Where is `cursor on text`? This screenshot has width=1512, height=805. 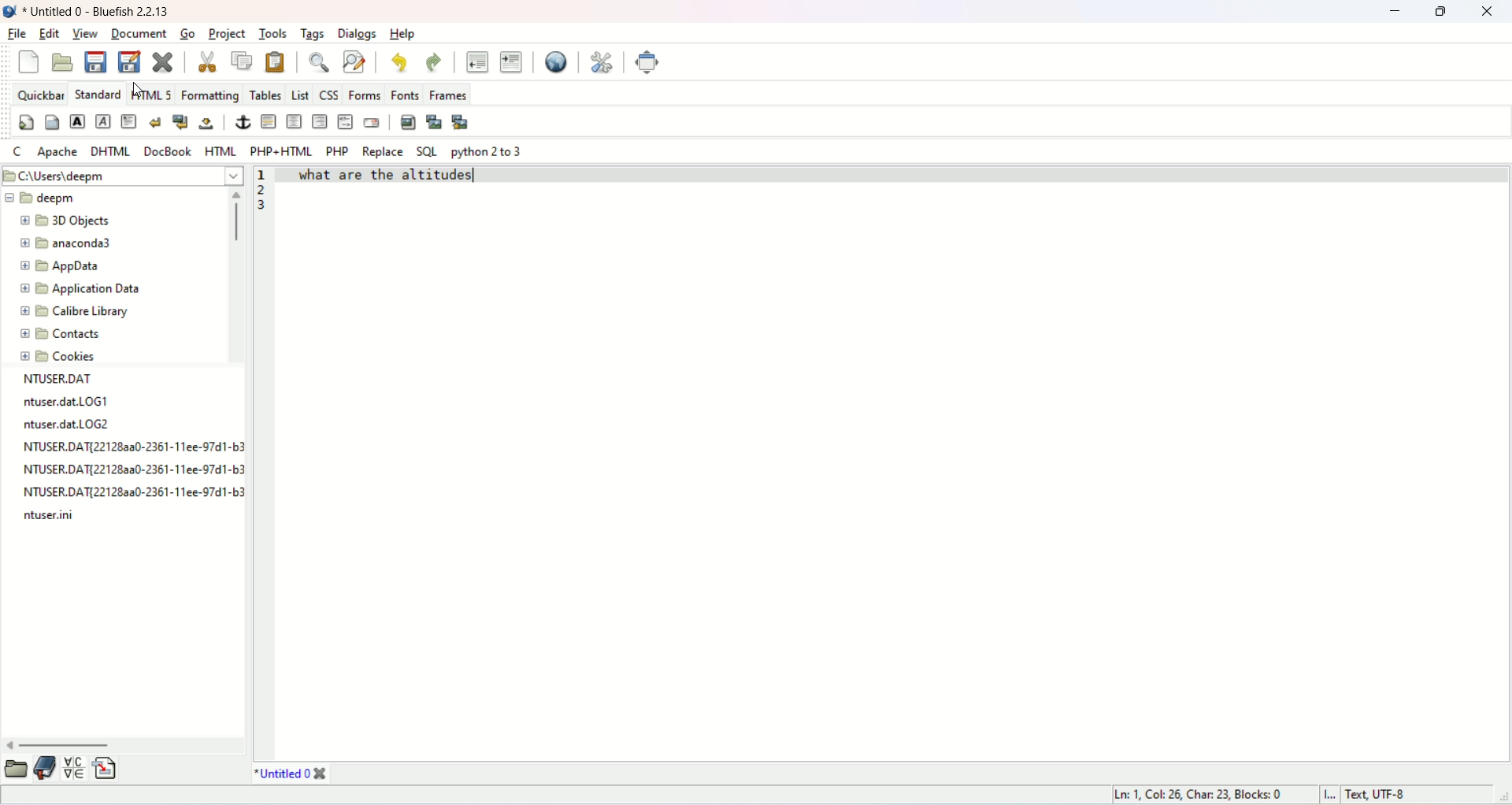 cursor on text is located at coordinates (474, 175).